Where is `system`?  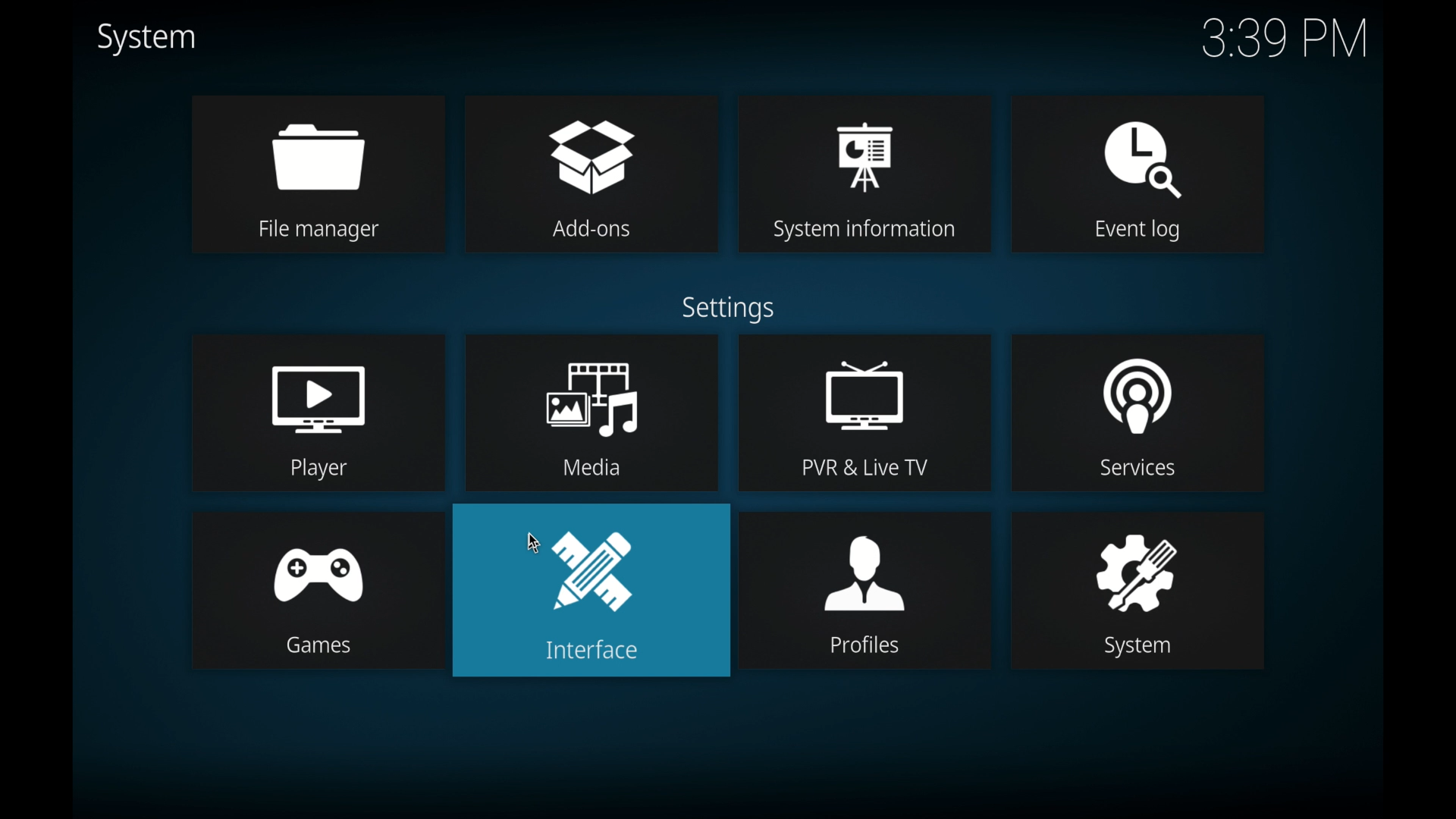 system is located at coordinates (1139, 591).